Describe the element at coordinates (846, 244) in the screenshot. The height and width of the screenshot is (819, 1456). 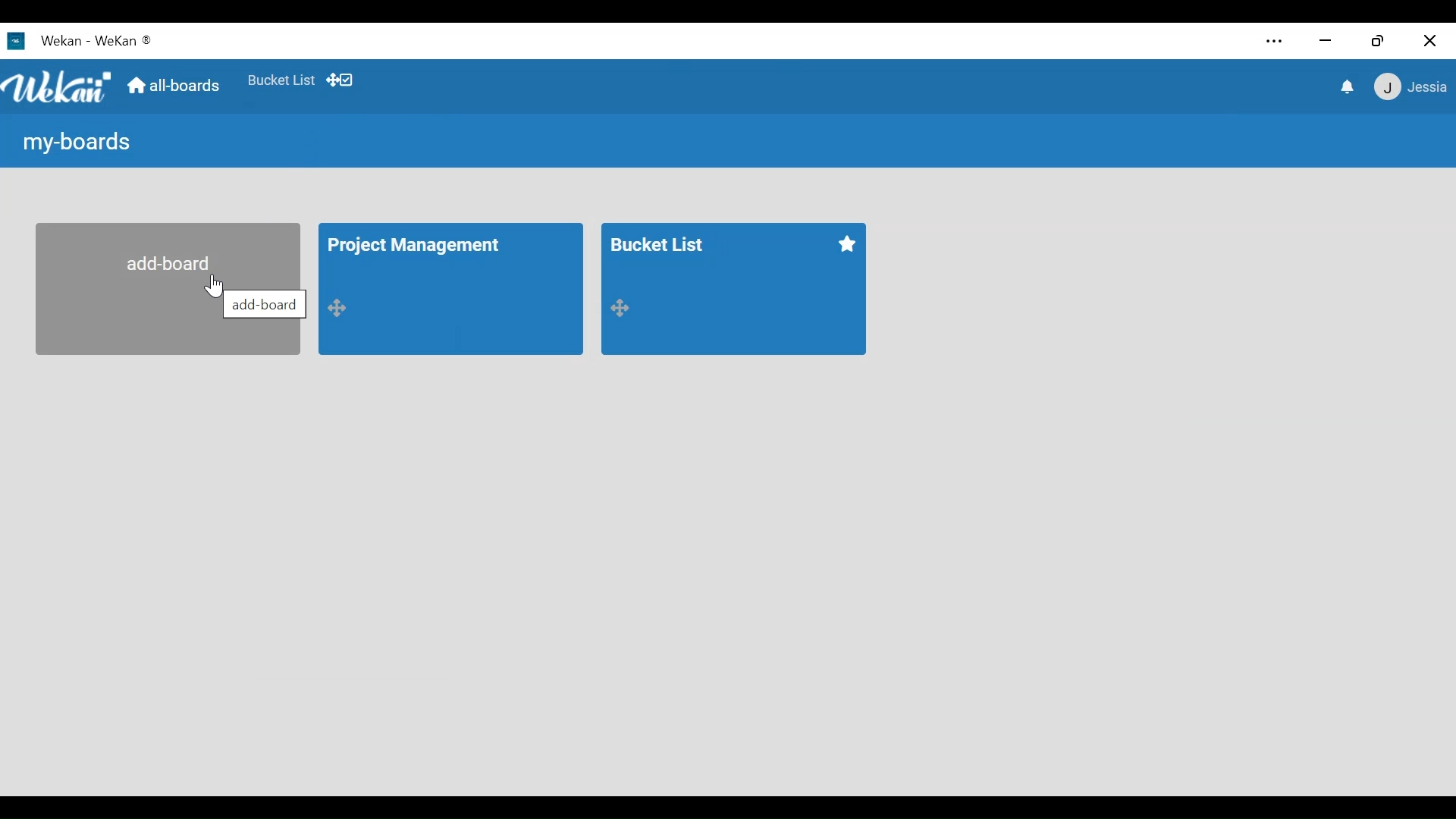
I see `Favorite` at that location.